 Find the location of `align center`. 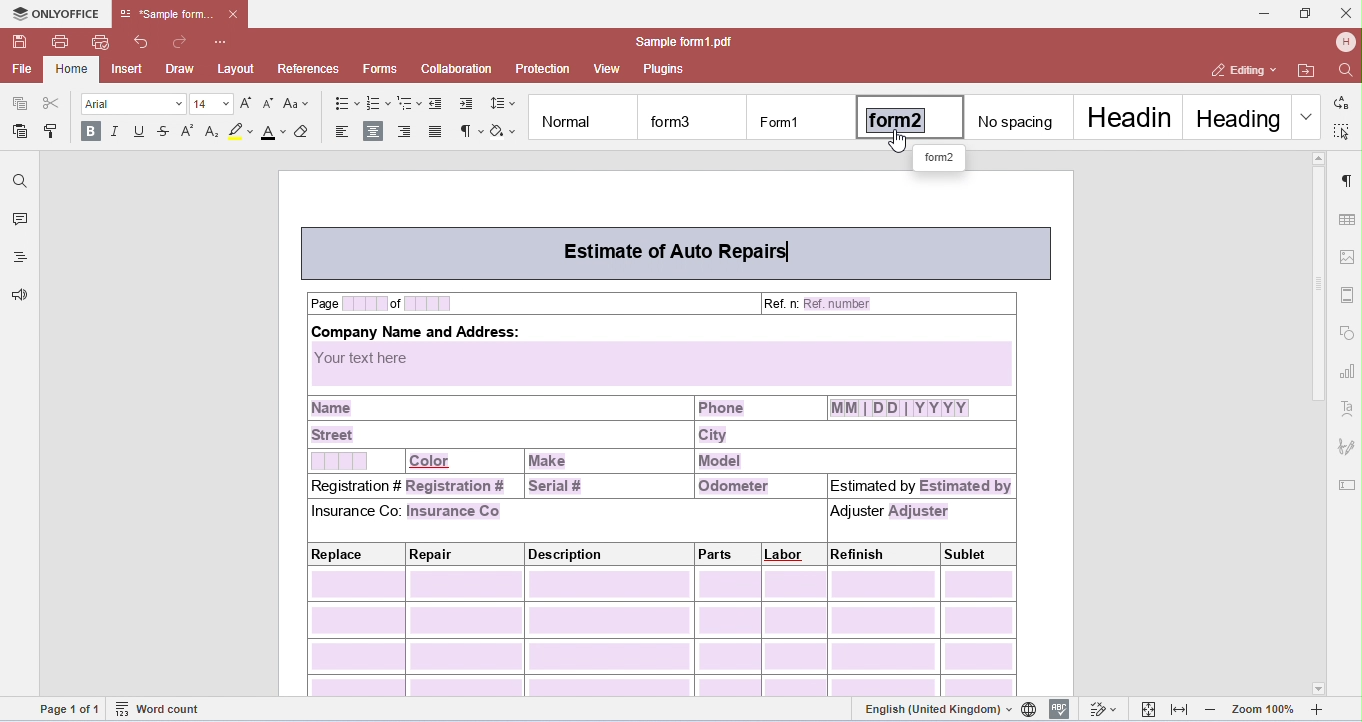

align center is located at coordinates (375, 132).